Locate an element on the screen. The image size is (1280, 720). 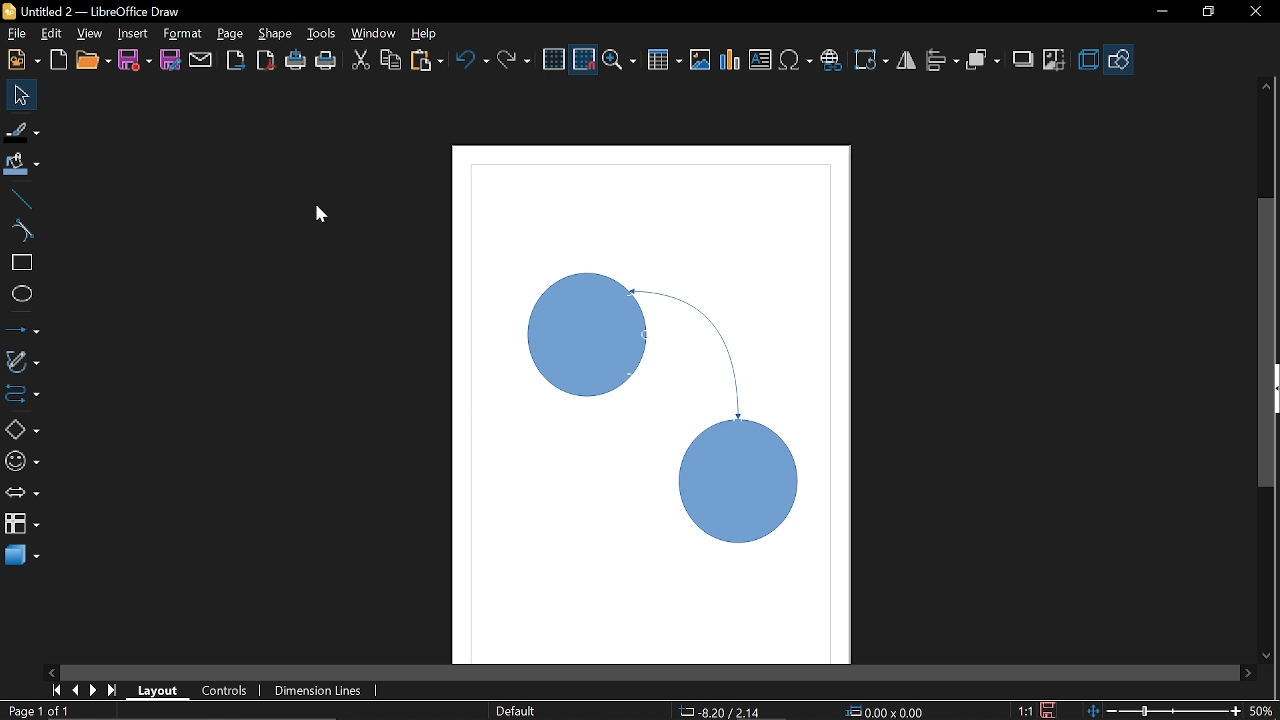
Current window is located at coordinates (92, 11).